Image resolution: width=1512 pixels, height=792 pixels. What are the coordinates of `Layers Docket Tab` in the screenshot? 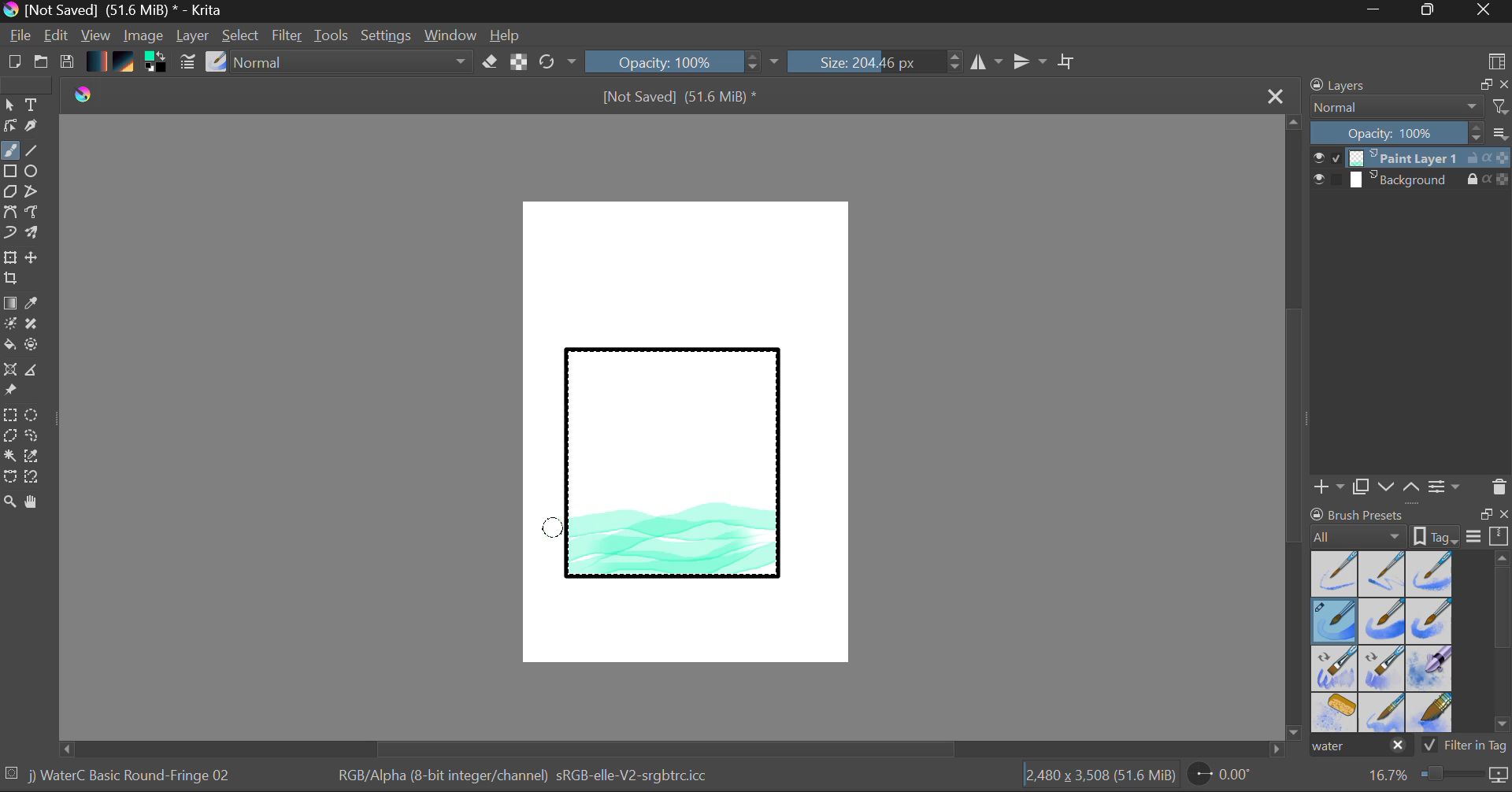 It's located at (1407, 83).